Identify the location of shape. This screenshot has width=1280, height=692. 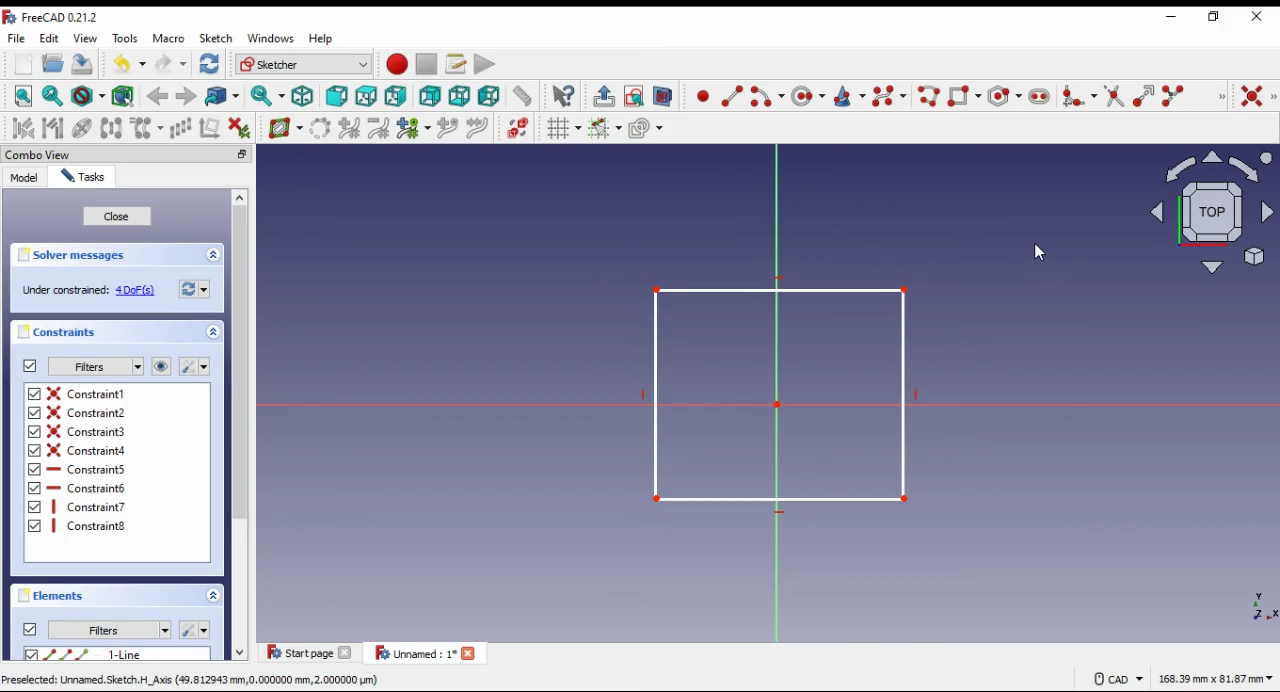
(772, 395).